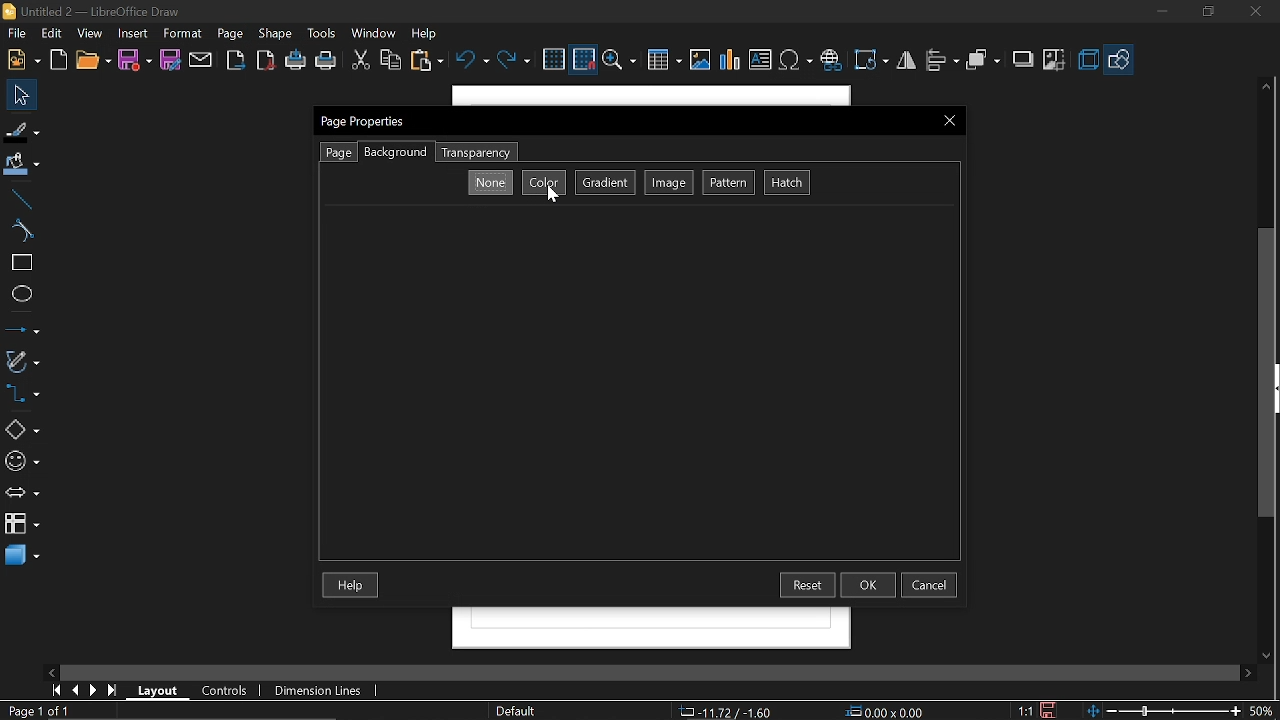 This screenshot has width=1280, height=720. I want to click on Copy, so click(392, 62).